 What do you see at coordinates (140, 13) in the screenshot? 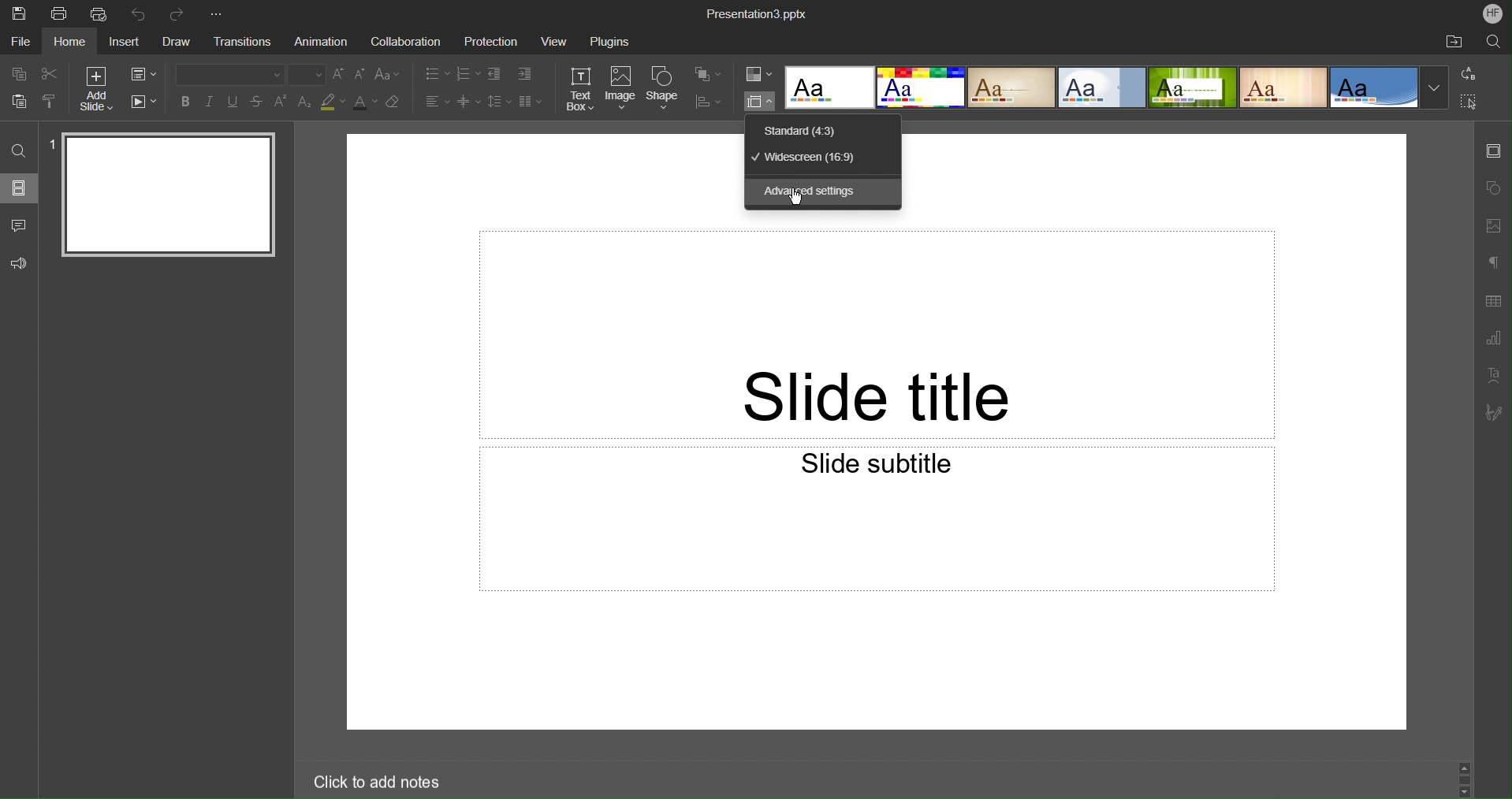
I see `Undo` at bounding box center [140, 13].